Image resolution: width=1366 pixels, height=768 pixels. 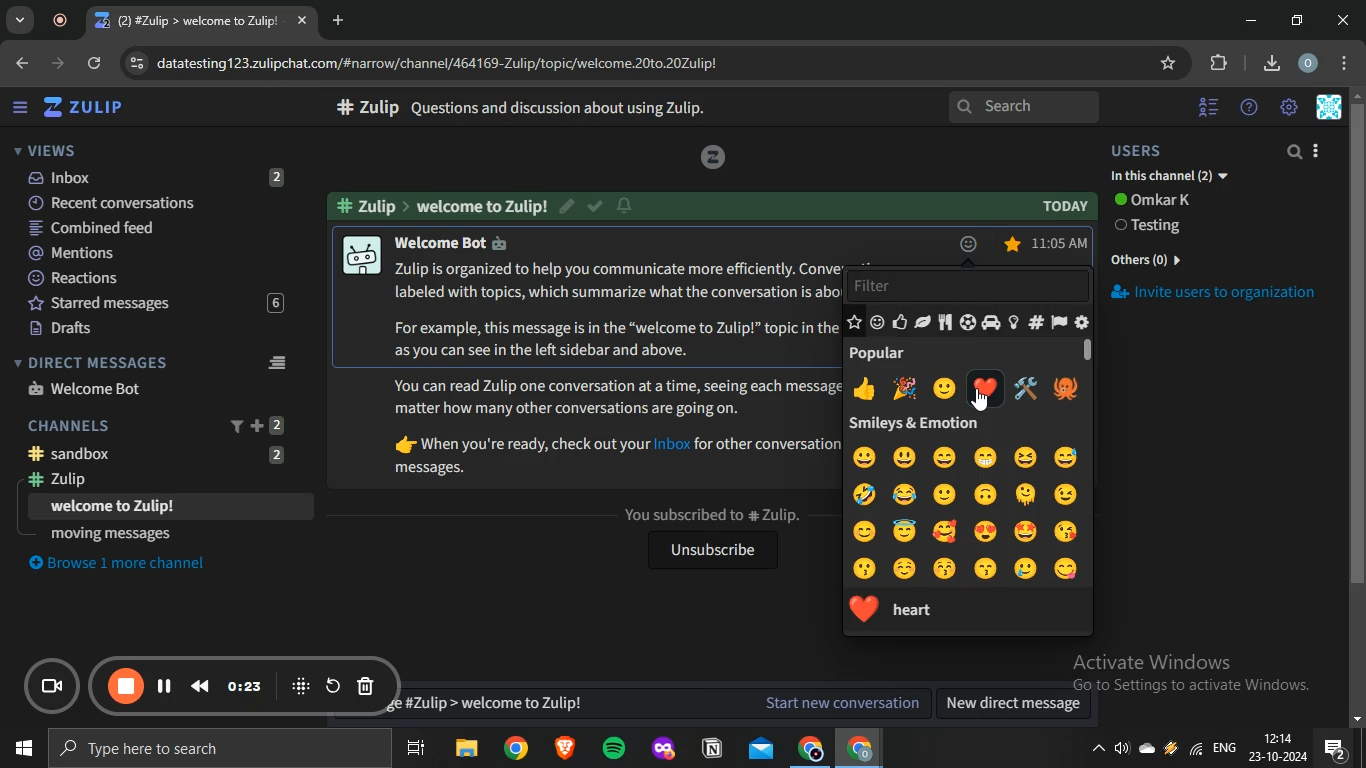 What do you see at coordinates (304, 22) in the screenshot?
I see `close tab` at bounding box center [304, 22].